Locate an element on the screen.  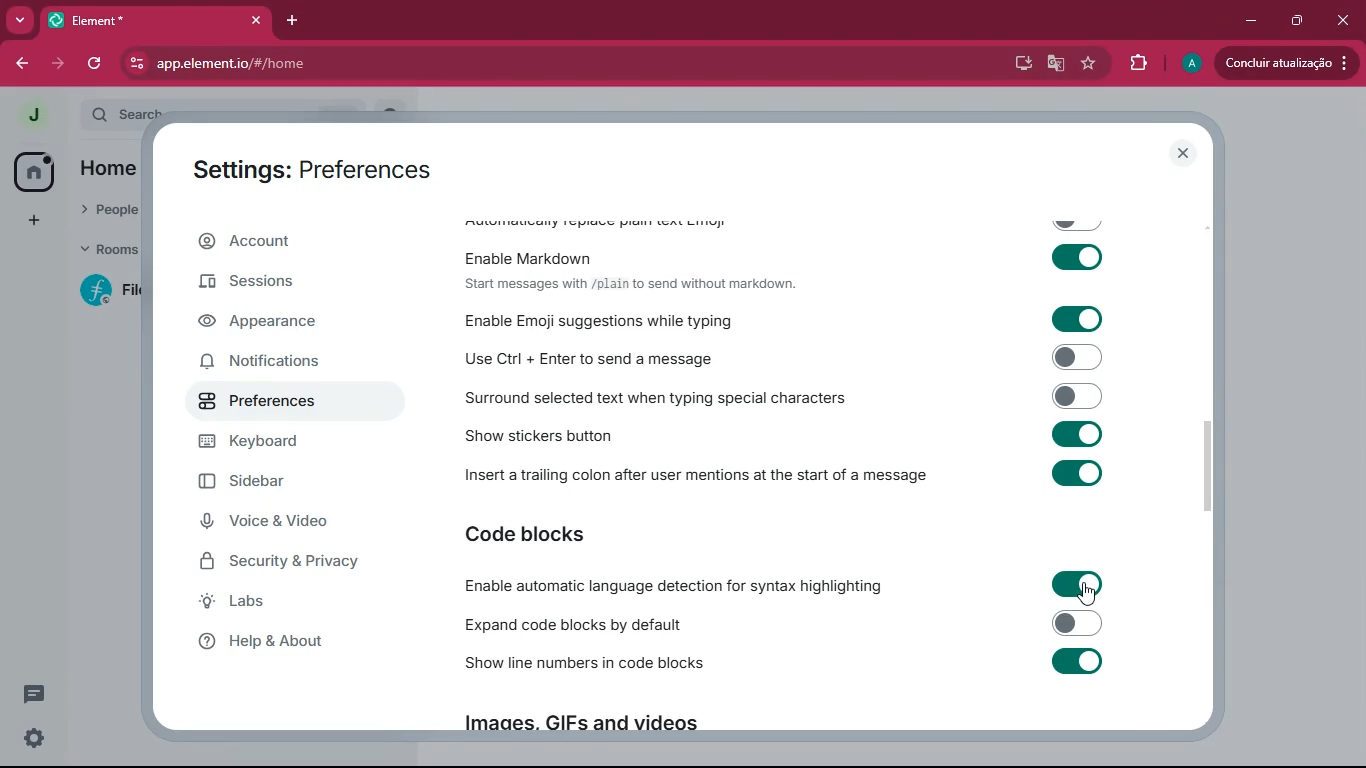
cursor is located at coordinates (1077, 586).